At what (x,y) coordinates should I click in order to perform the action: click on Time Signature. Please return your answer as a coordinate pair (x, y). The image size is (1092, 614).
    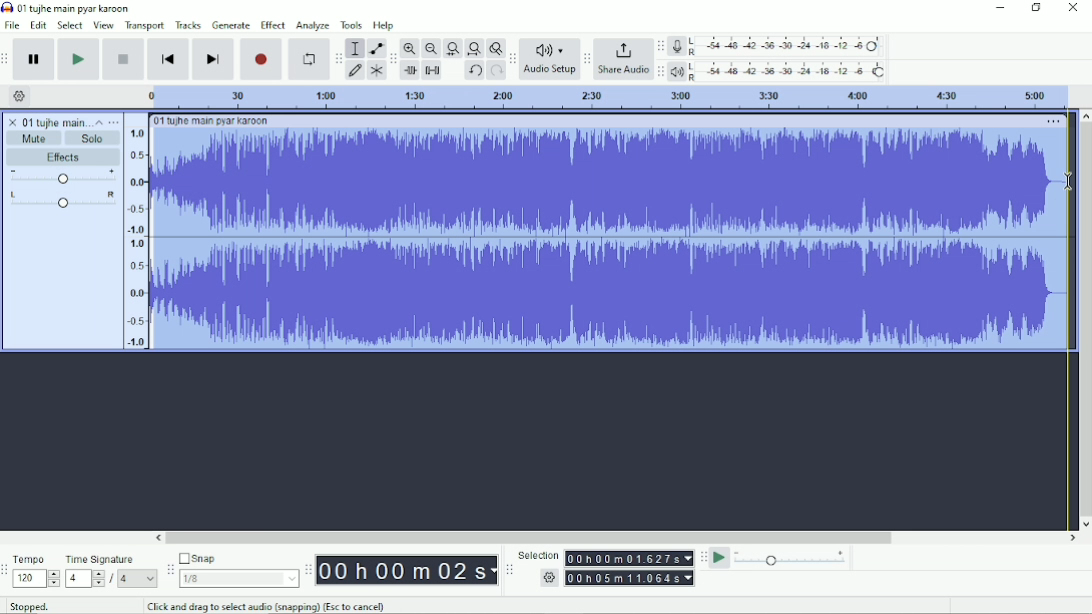
    Looking at the image, I should click on (101, 560).